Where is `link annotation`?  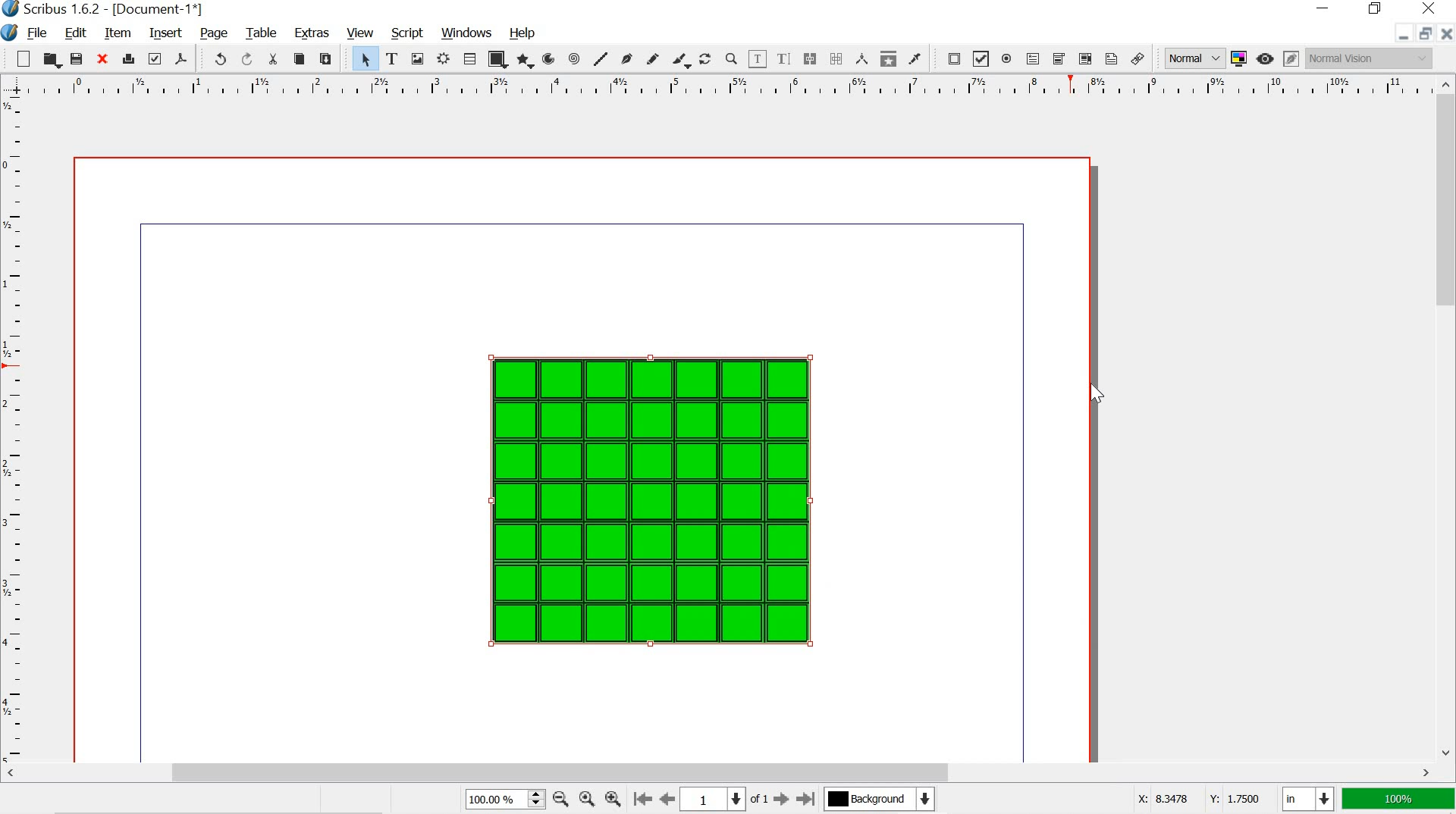
link annotation is located at coordinates (1137, 58).